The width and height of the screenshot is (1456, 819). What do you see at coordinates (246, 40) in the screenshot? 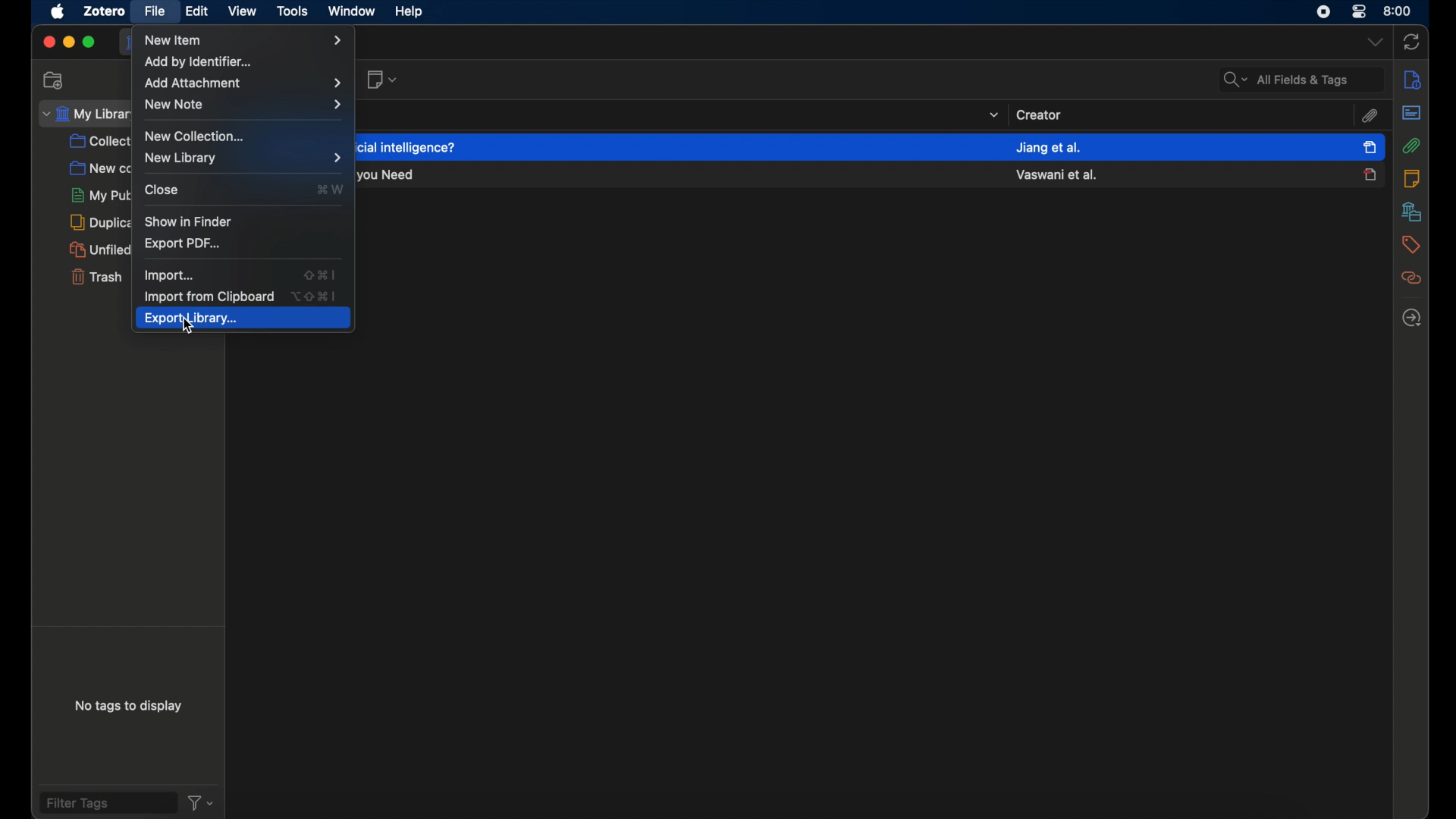
I see `new item menu` at bounding box center [246, 40].